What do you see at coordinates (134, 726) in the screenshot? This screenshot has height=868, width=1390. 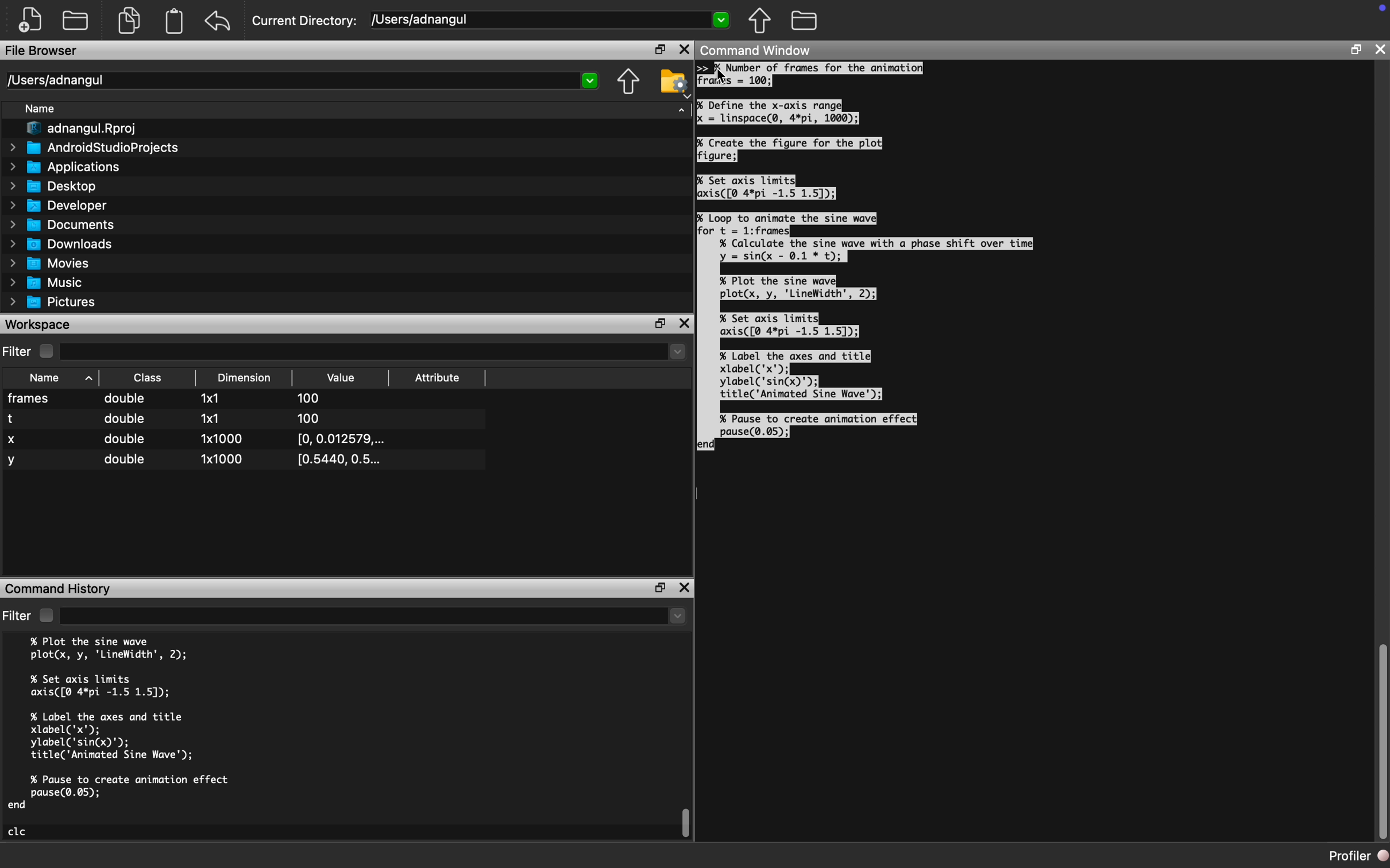 I see `% Plot the sine wave
plot(x, y, 'LineWidth', 2);
% Set axis limits
axis([@ 4*pi -1.5 1.5]);
% Label the axes and title
xlabel('x");
ylabel('sin(x)");
title('Animated Sine Wave');
% Pause to create animation effect
pause(0.05);

end` at bounding box center [134, 726].